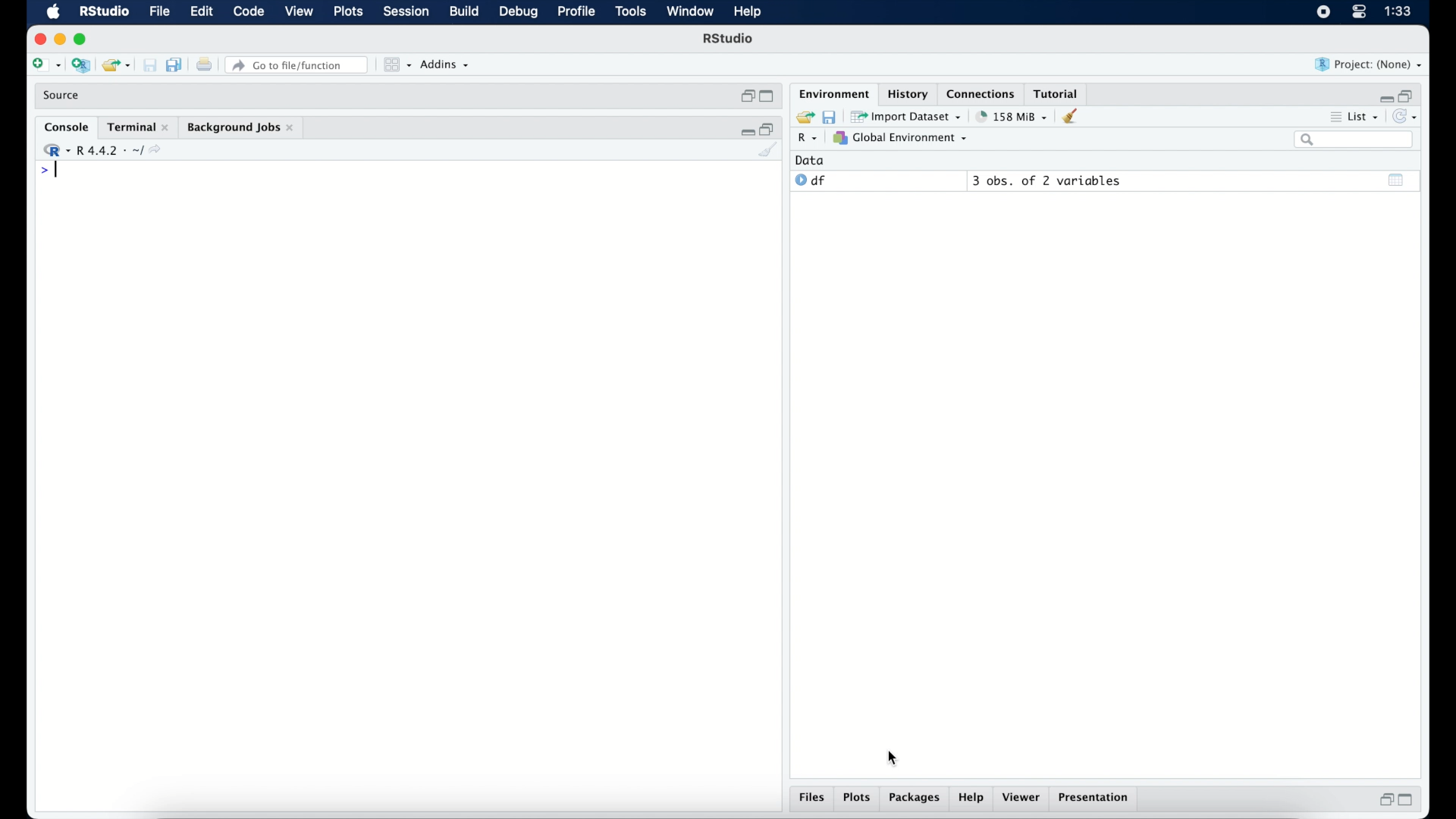  What do you see at coordinates (1073, 117) in the screenshot?
I see `clear console` at bounding box center [1073, 117].